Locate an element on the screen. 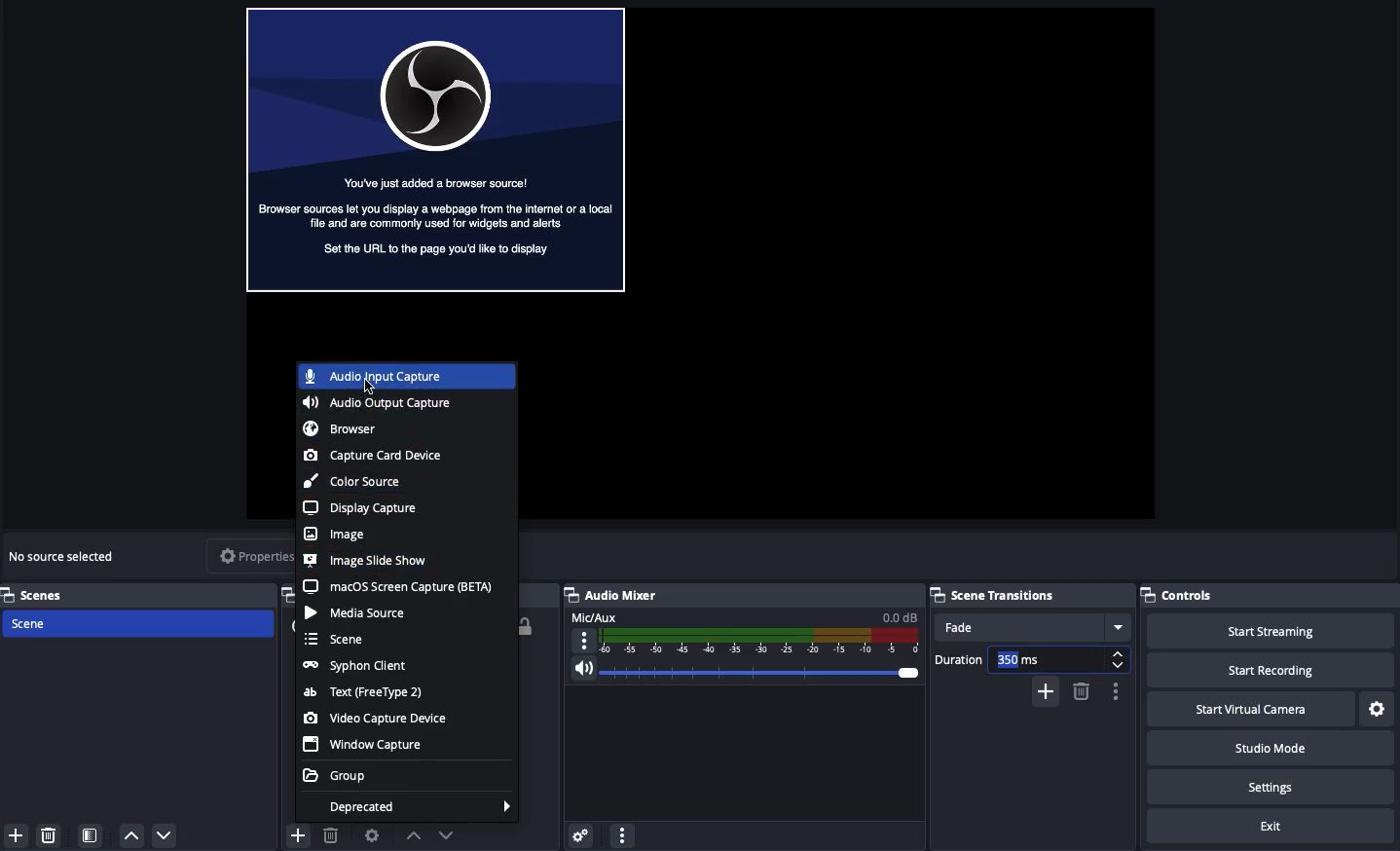  Delete is located at coordinates (51, 834).